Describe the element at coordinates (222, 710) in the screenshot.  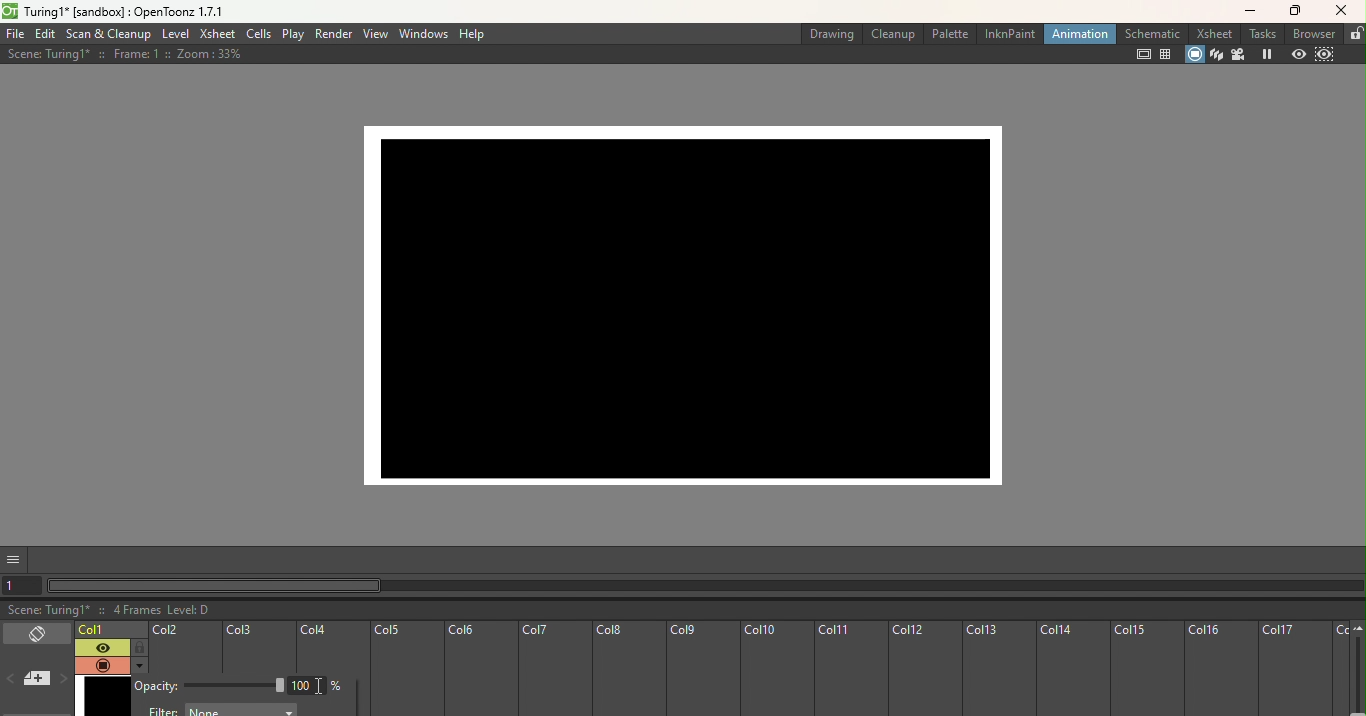
I see `Filter` at that location.